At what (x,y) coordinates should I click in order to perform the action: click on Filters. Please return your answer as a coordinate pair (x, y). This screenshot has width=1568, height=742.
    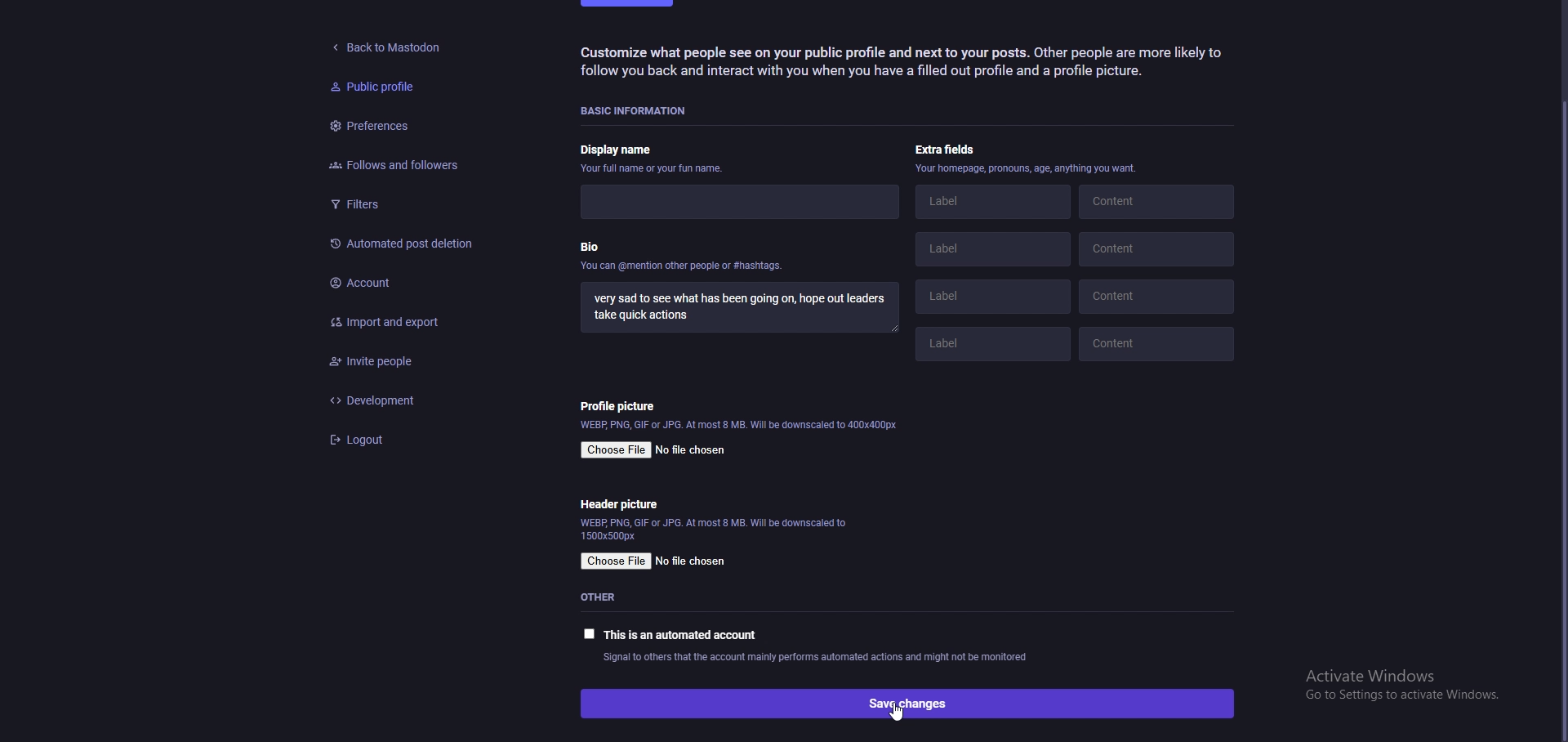
    Looking at the image, I should click on (394, 204).